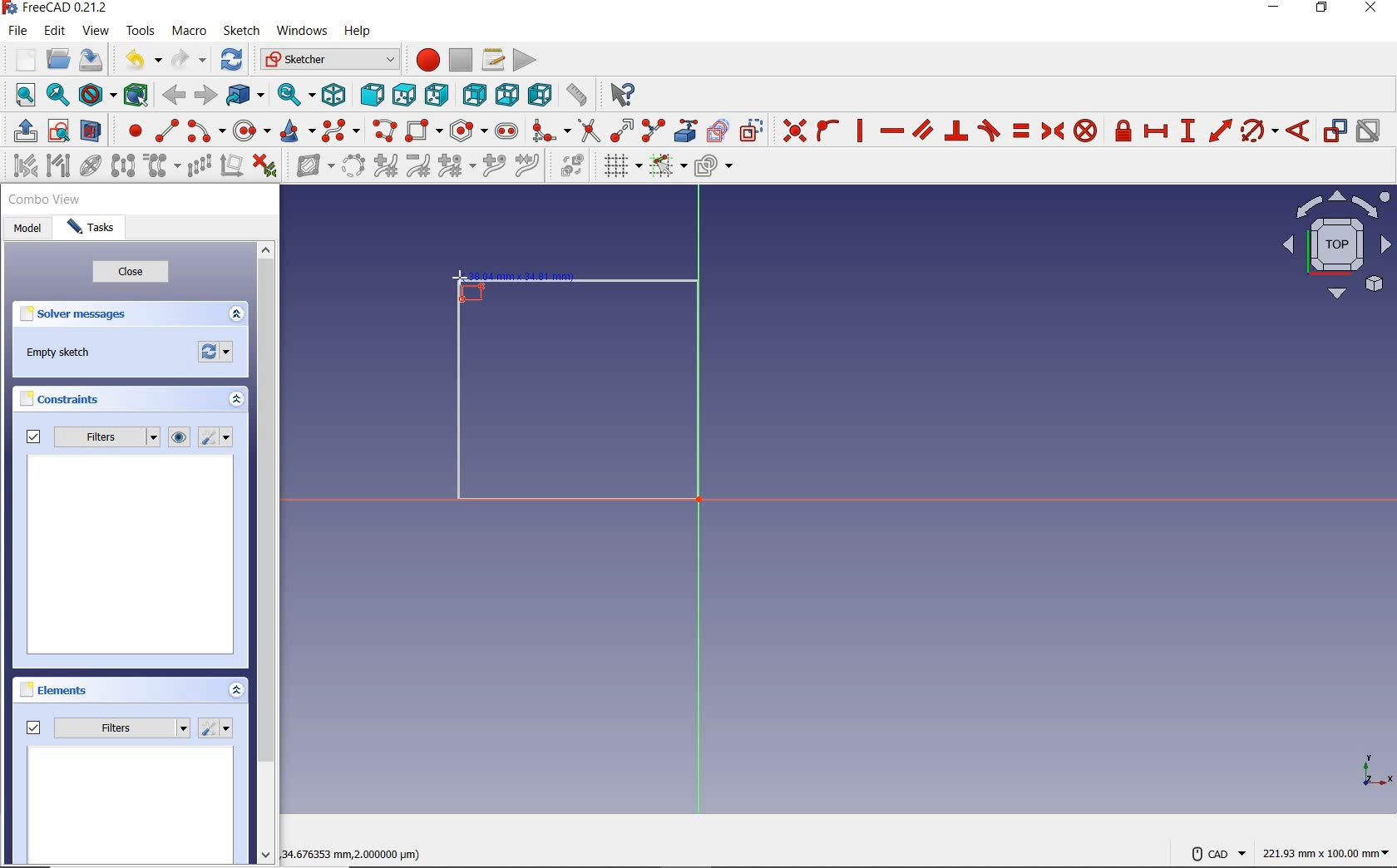 Image resolution: width=1397 pixels, height=868 pixels. Describe the element at coordinates (64, 402) in the screenshot. I see `constraints` at that location.